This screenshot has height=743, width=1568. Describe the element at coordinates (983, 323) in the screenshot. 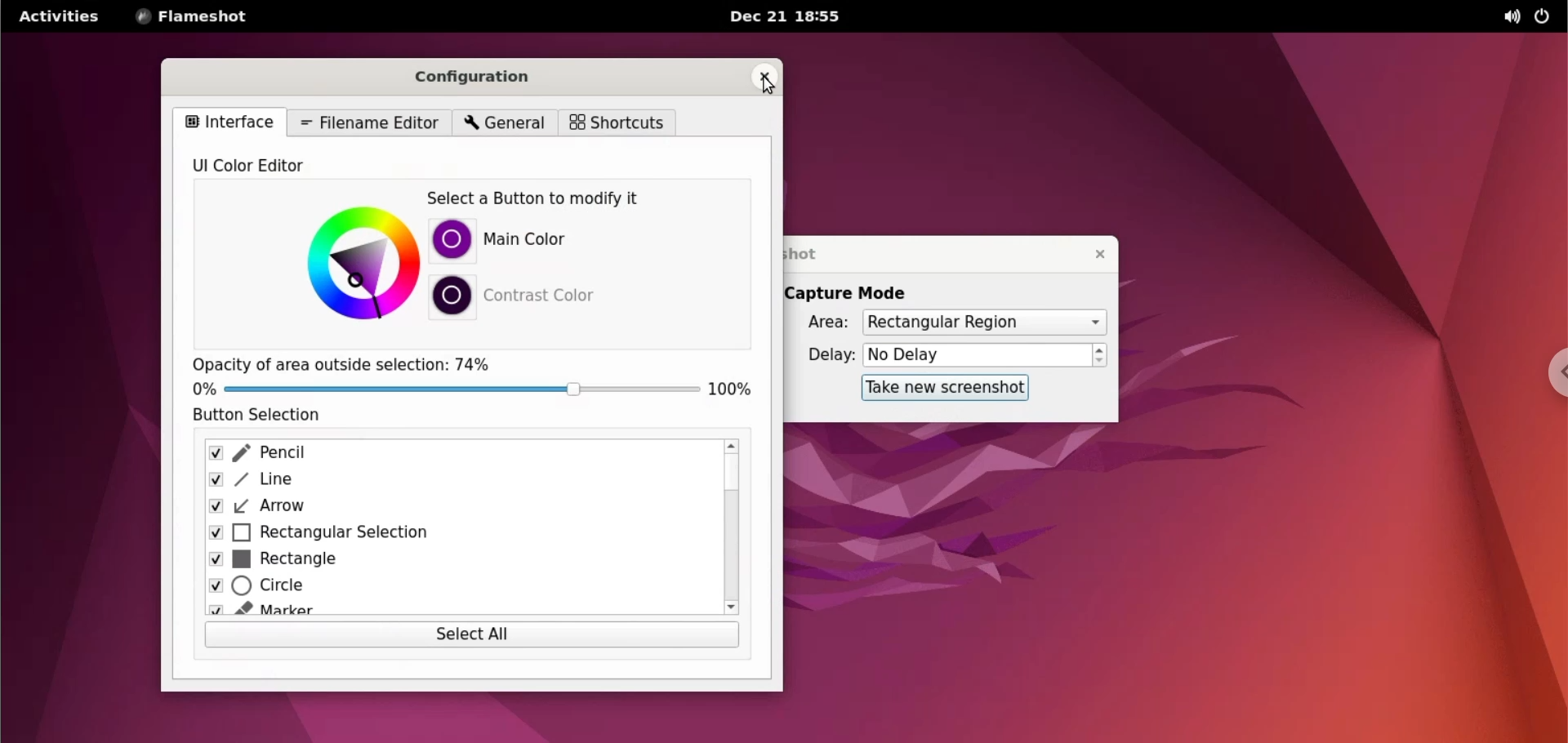

I see `Rectangular Region` at that location.